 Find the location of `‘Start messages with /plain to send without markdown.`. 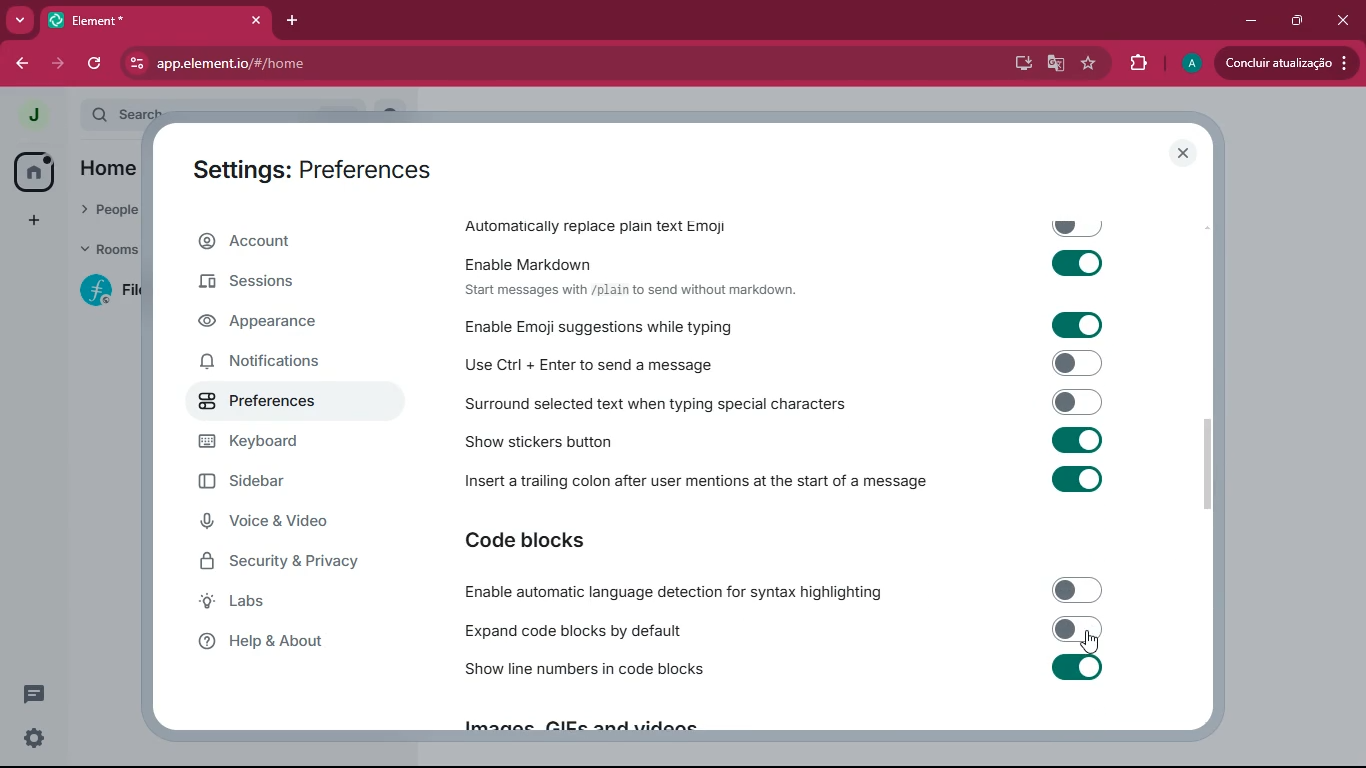

‘Start messages with /plain to send without markdown. is located at coordinates (638, 291).